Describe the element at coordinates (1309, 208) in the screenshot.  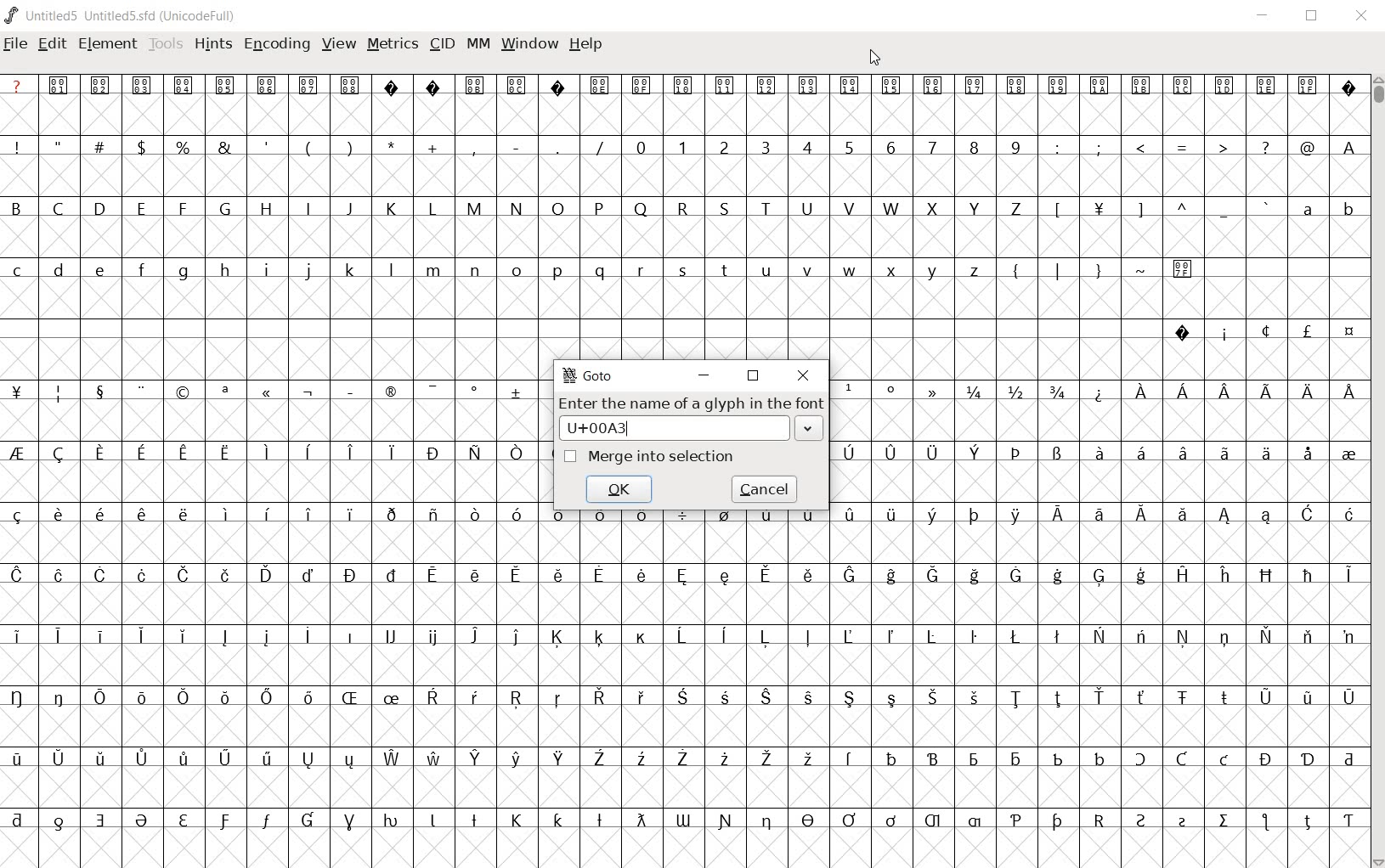
I see `a` at that location.